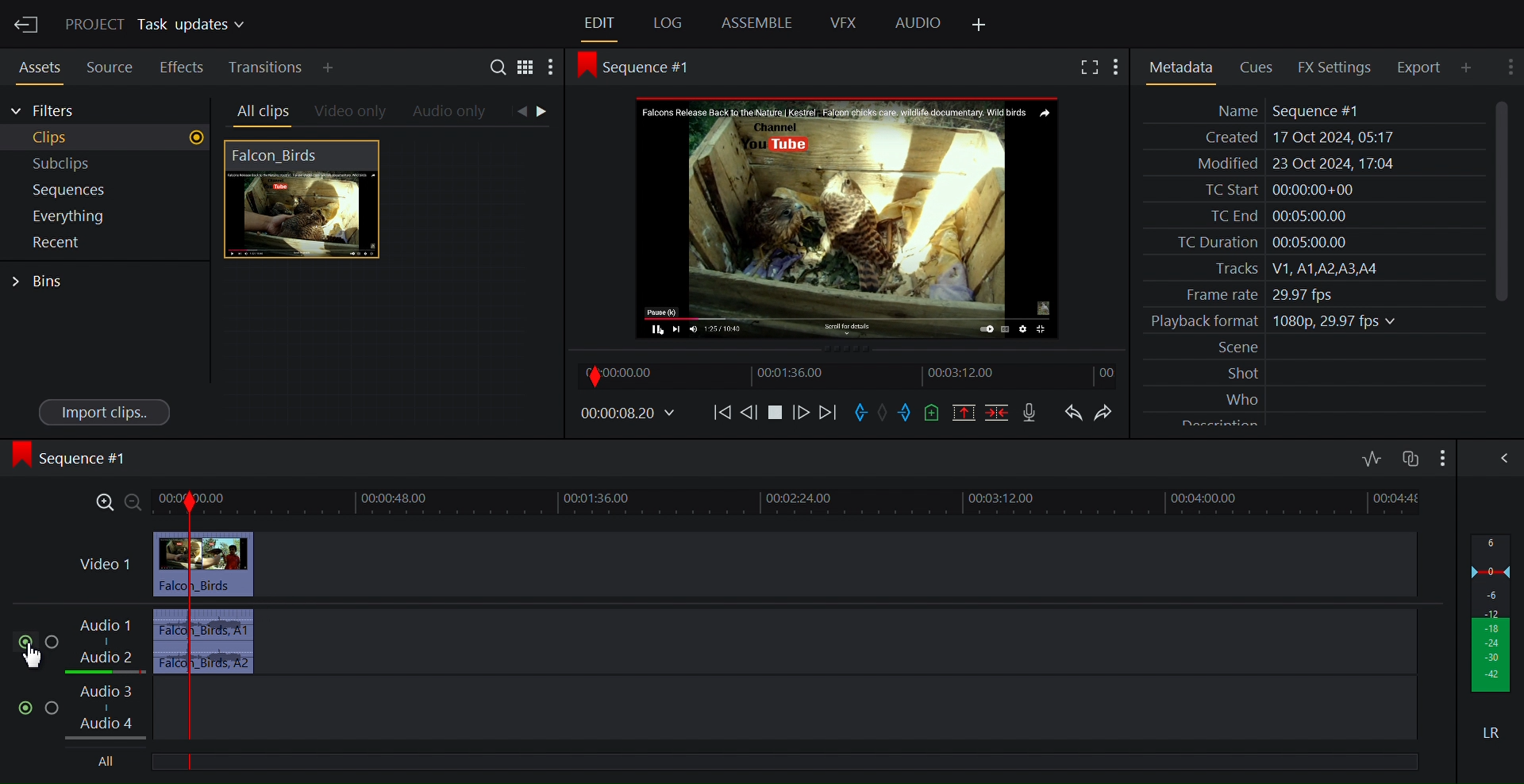  What do you see at coordinates (845, 22) in the screenshot?
I see `VFX` at bounding box center [845, 22].